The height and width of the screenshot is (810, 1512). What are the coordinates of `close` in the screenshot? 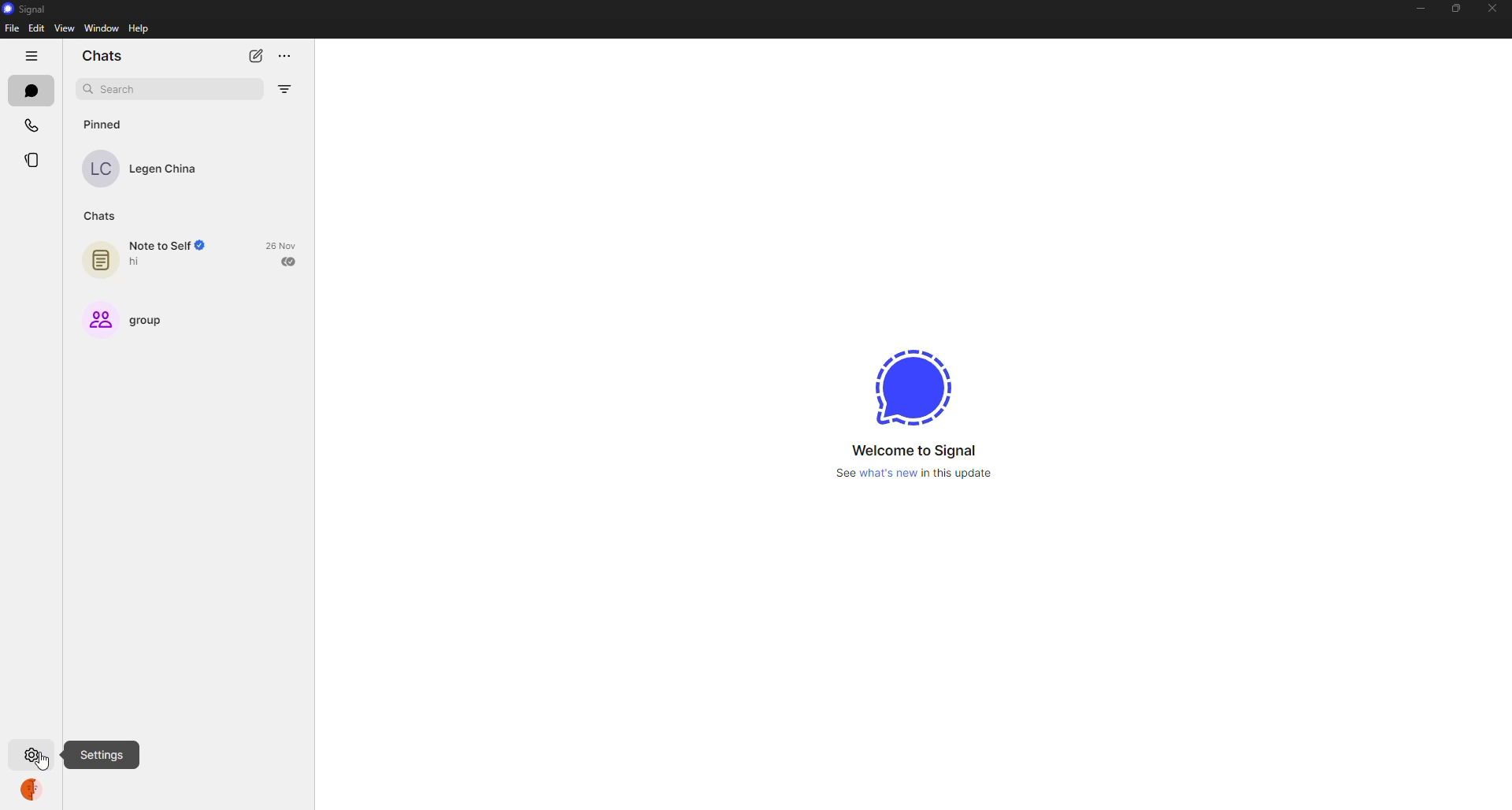 It's located at (1492, 8).